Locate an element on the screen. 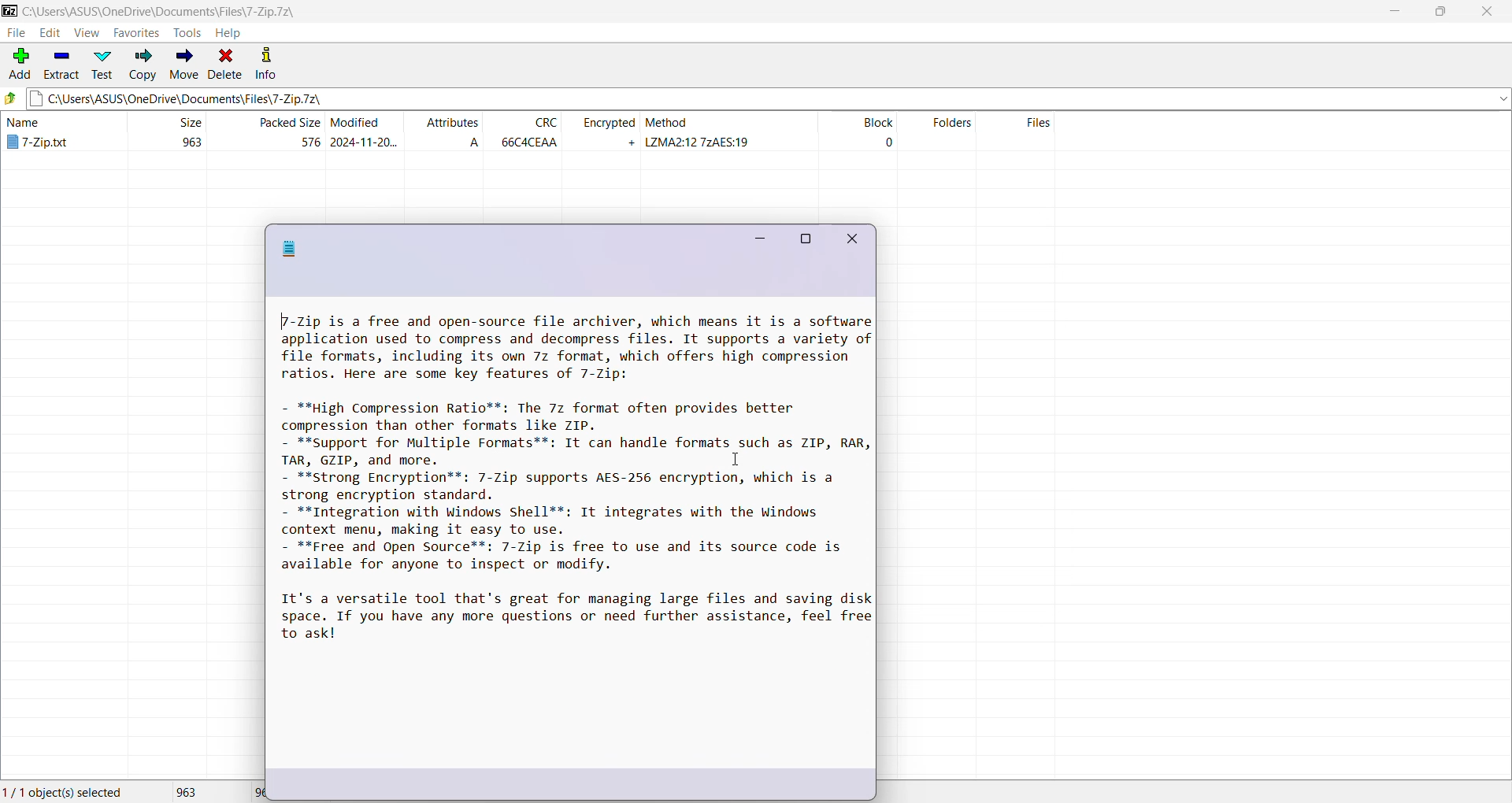 The image size is (1512, 803). Extract is located at coordinates (61, 65).